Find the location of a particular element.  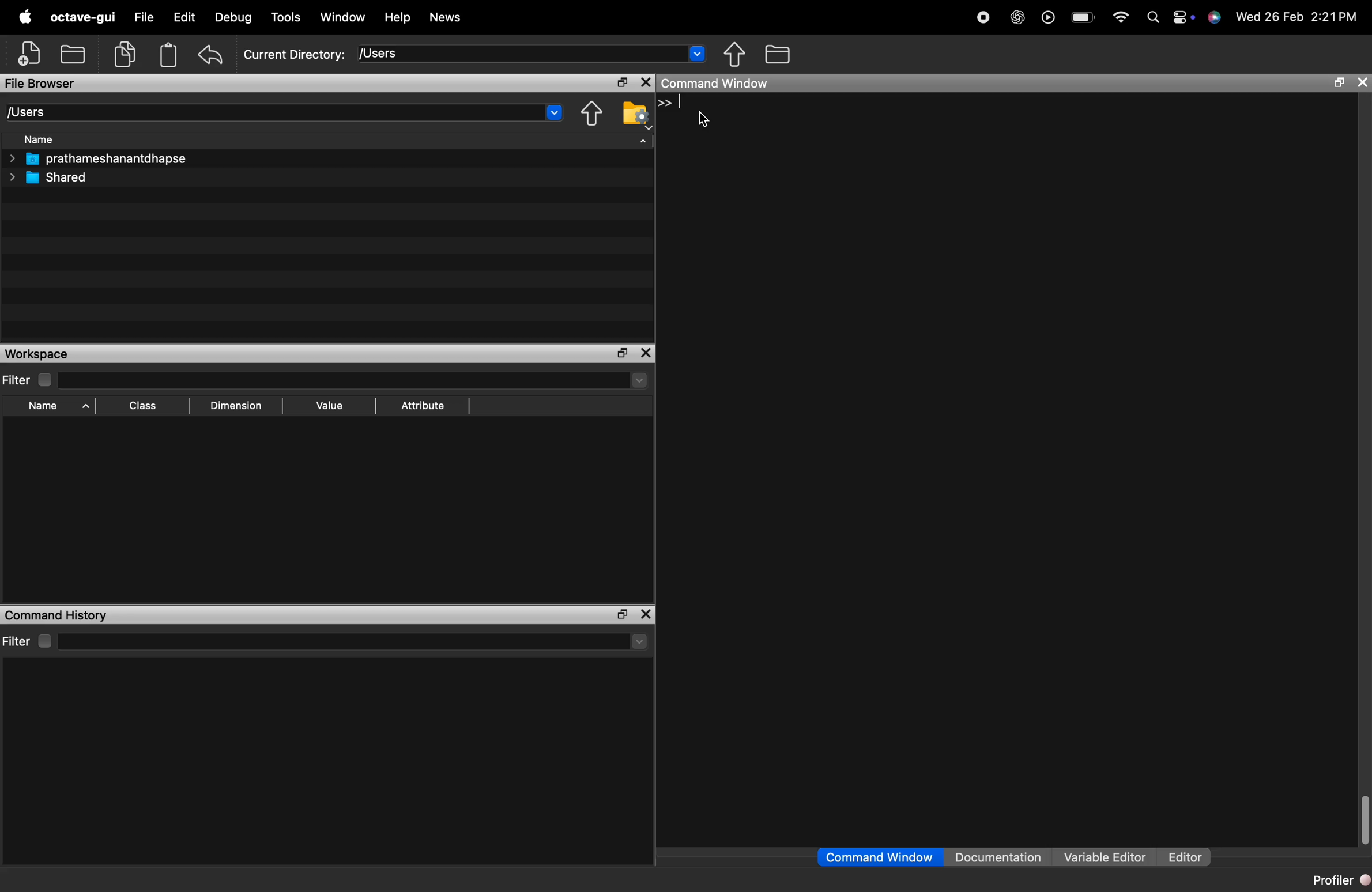

Help is located at coordinates (400, 17).